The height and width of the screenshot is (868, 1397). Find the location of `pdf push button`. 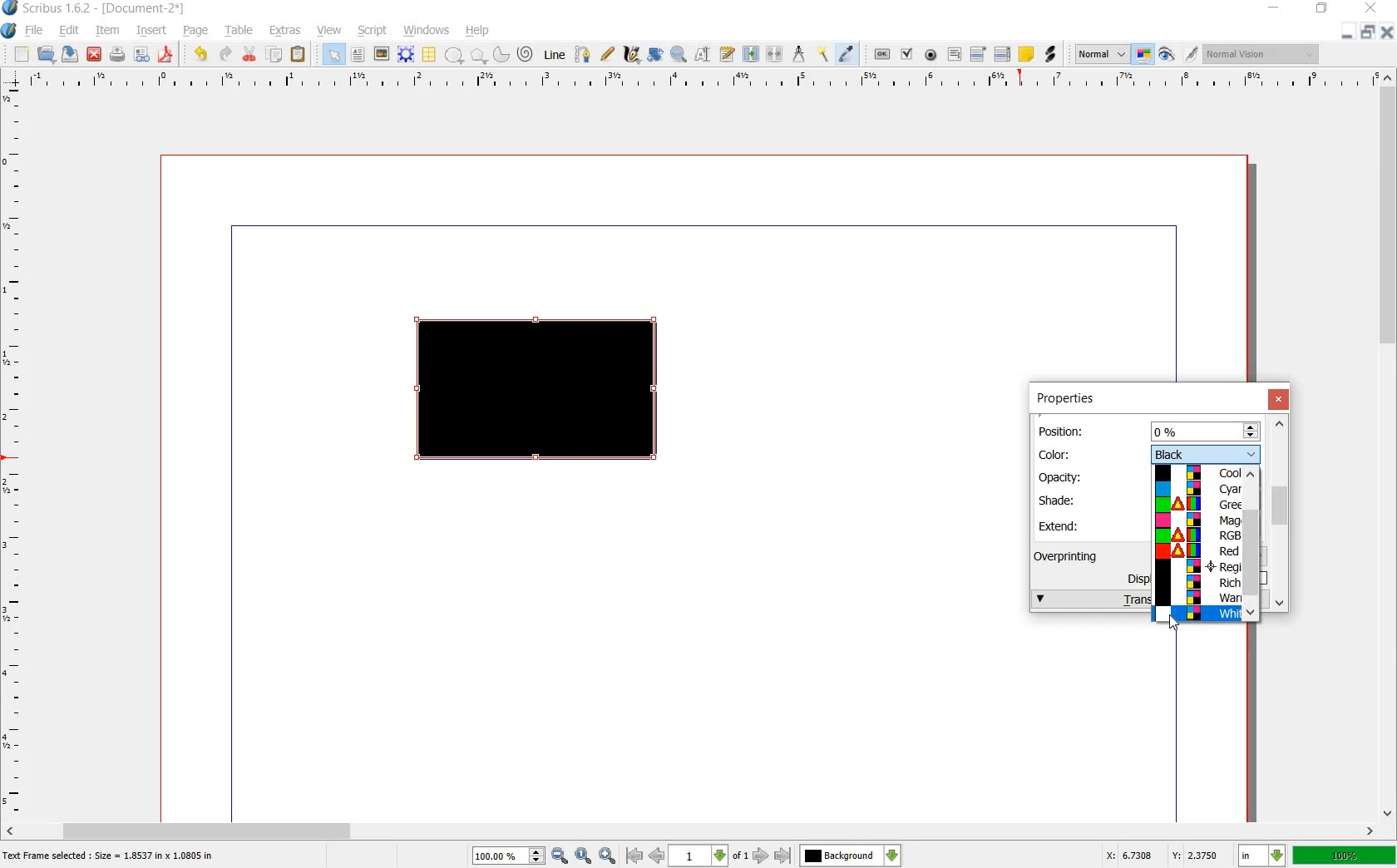

pdf push button is located at coordinates (882, 52).